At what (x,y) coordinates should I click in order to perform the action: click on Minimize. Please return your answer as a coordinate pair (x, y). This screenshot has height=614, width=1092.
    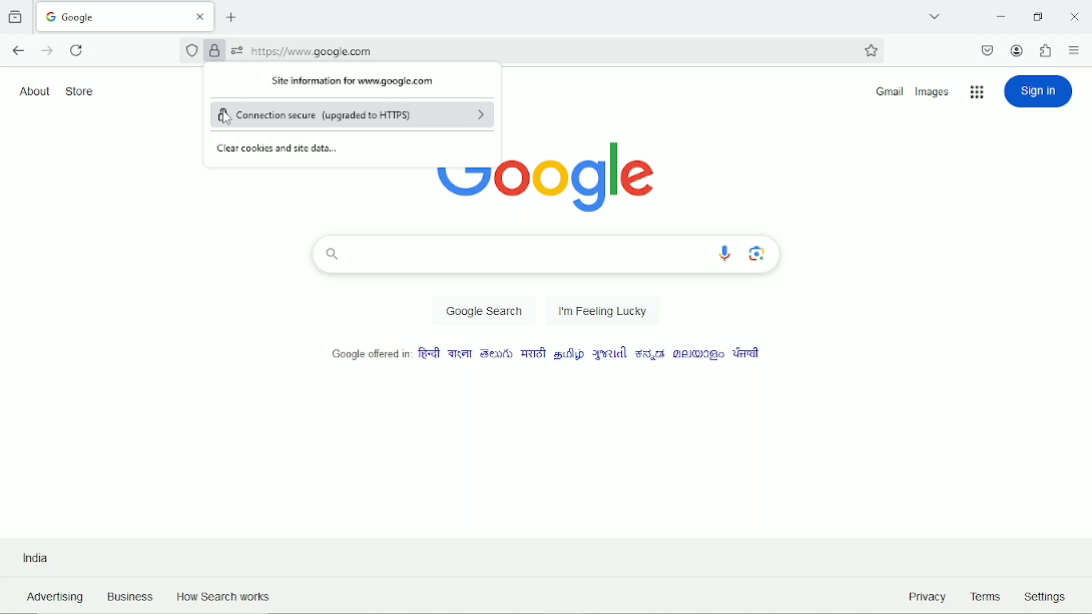
    Looking at the image, I should click on (997, 15).